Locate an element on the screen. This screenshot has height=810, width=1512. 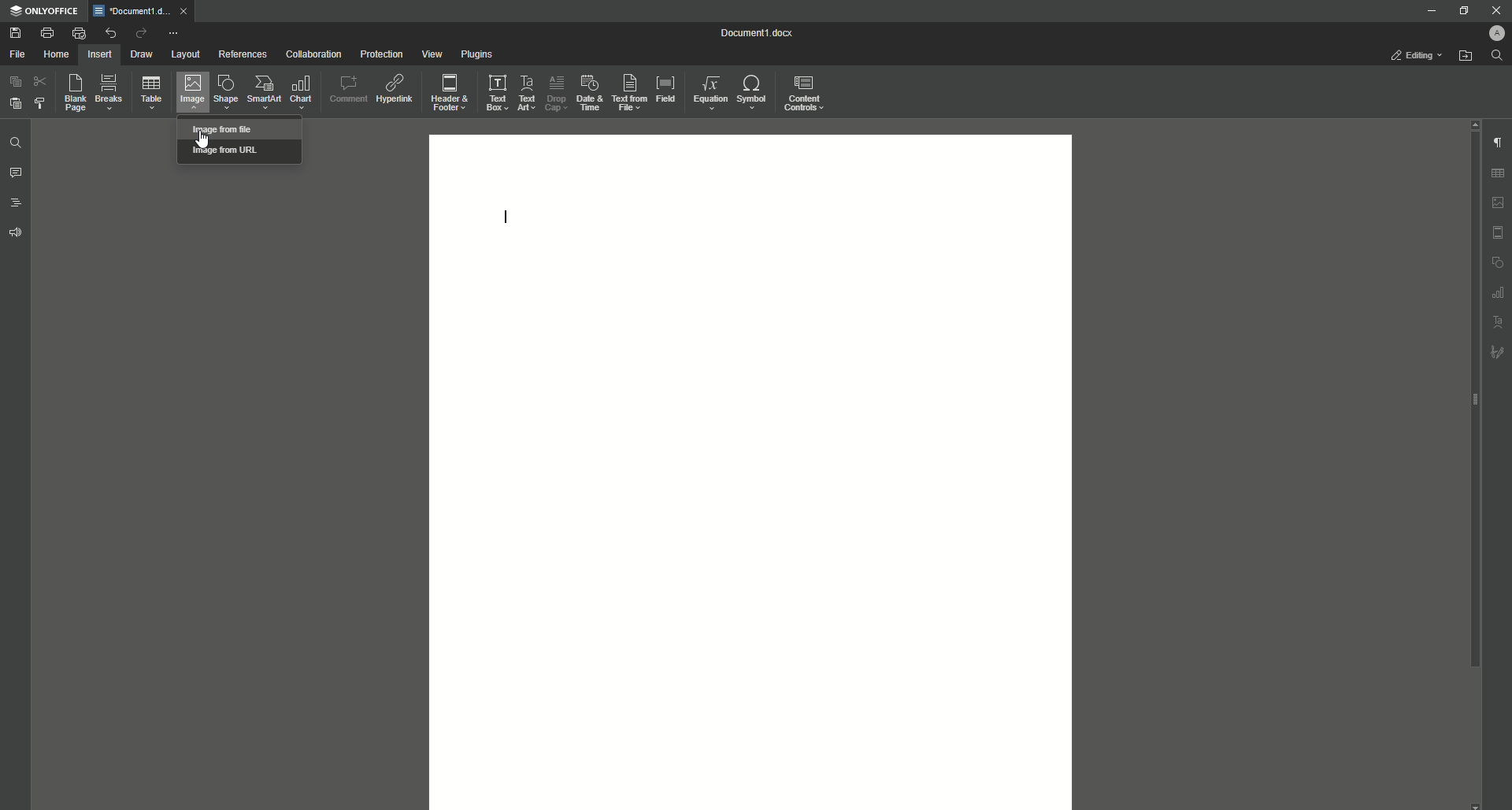
Blank Page is located at coordinates (72, 91).